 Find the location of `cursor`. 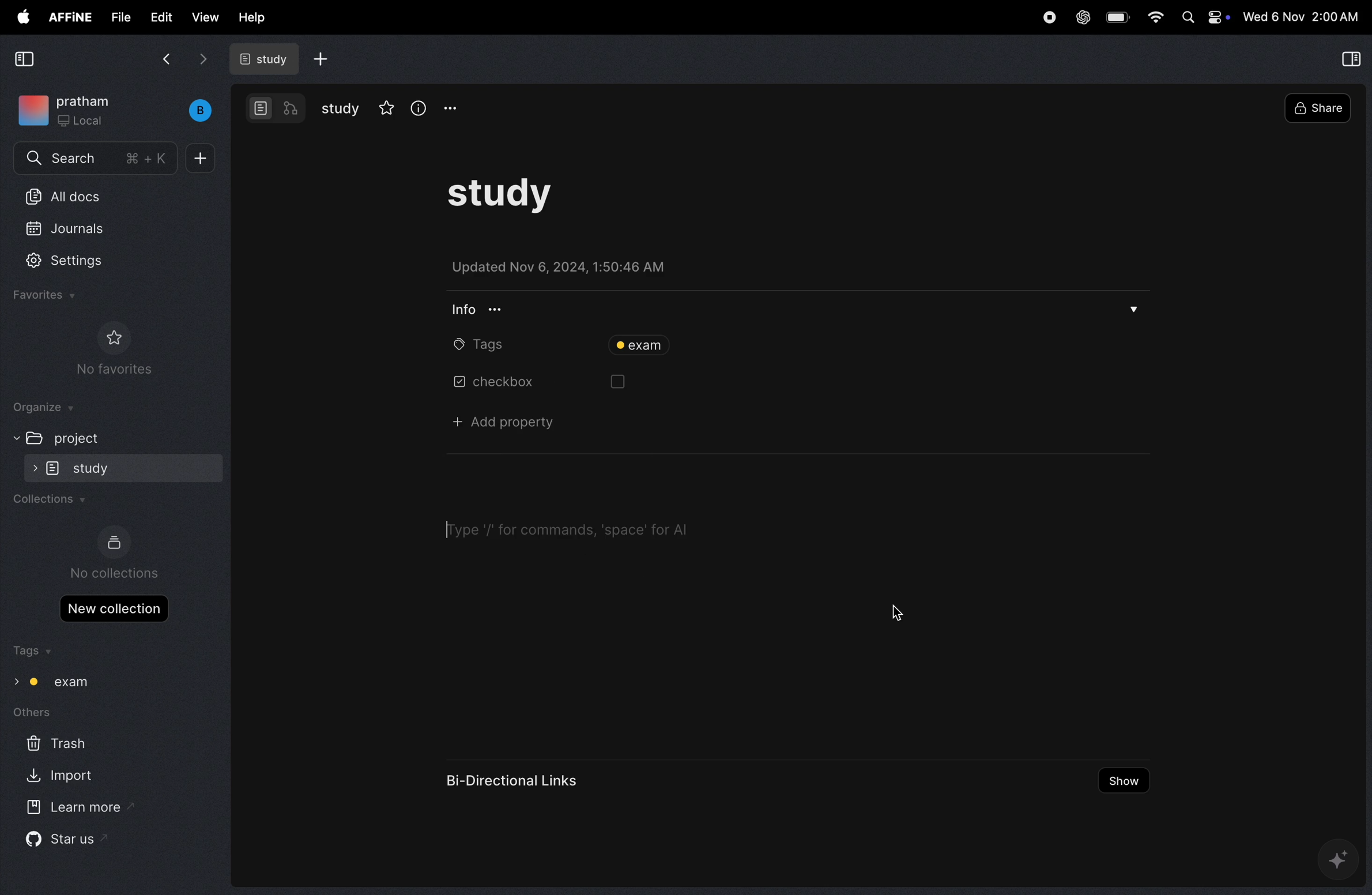

cursor is located at coordinates (902, 614).